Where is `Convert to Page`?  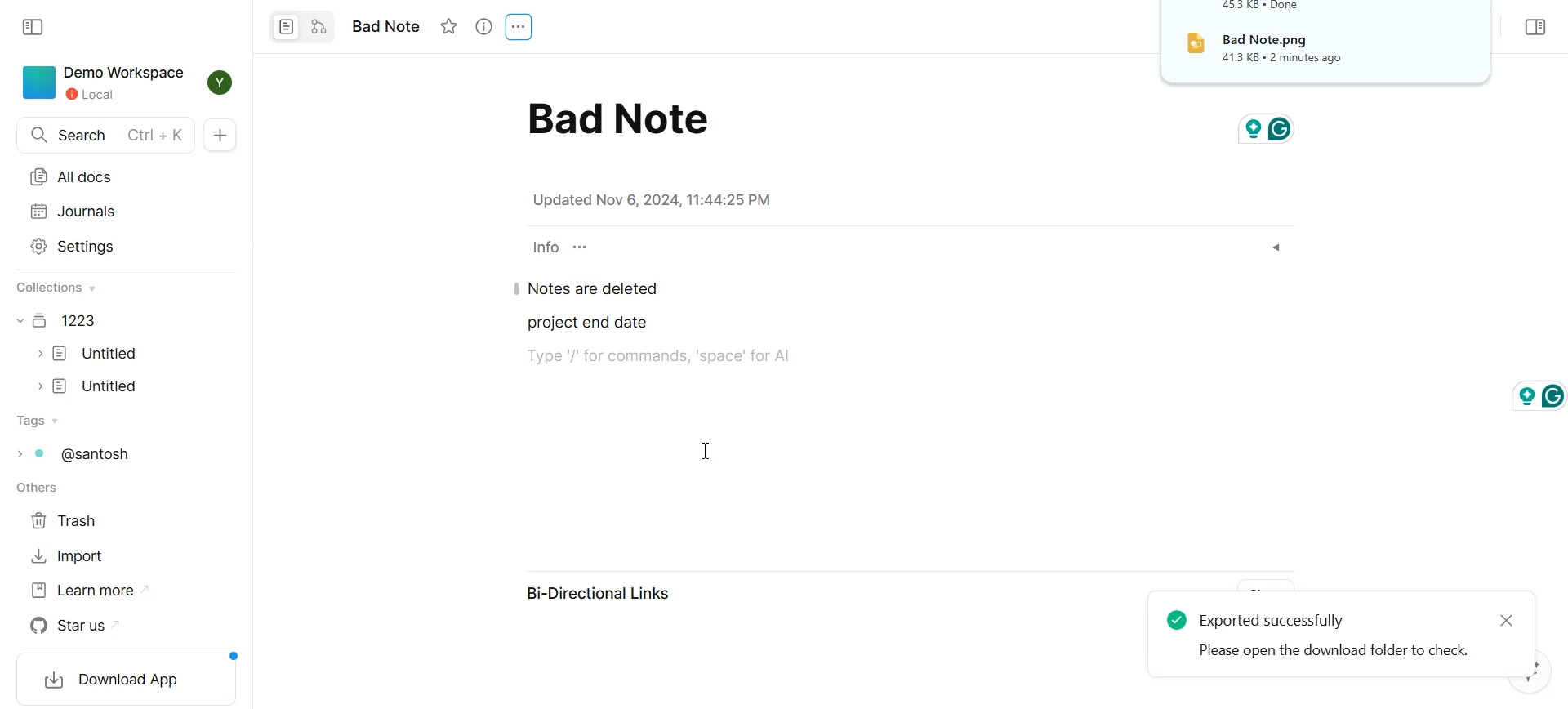
Convert to Page is located at coordinates (283, 26).